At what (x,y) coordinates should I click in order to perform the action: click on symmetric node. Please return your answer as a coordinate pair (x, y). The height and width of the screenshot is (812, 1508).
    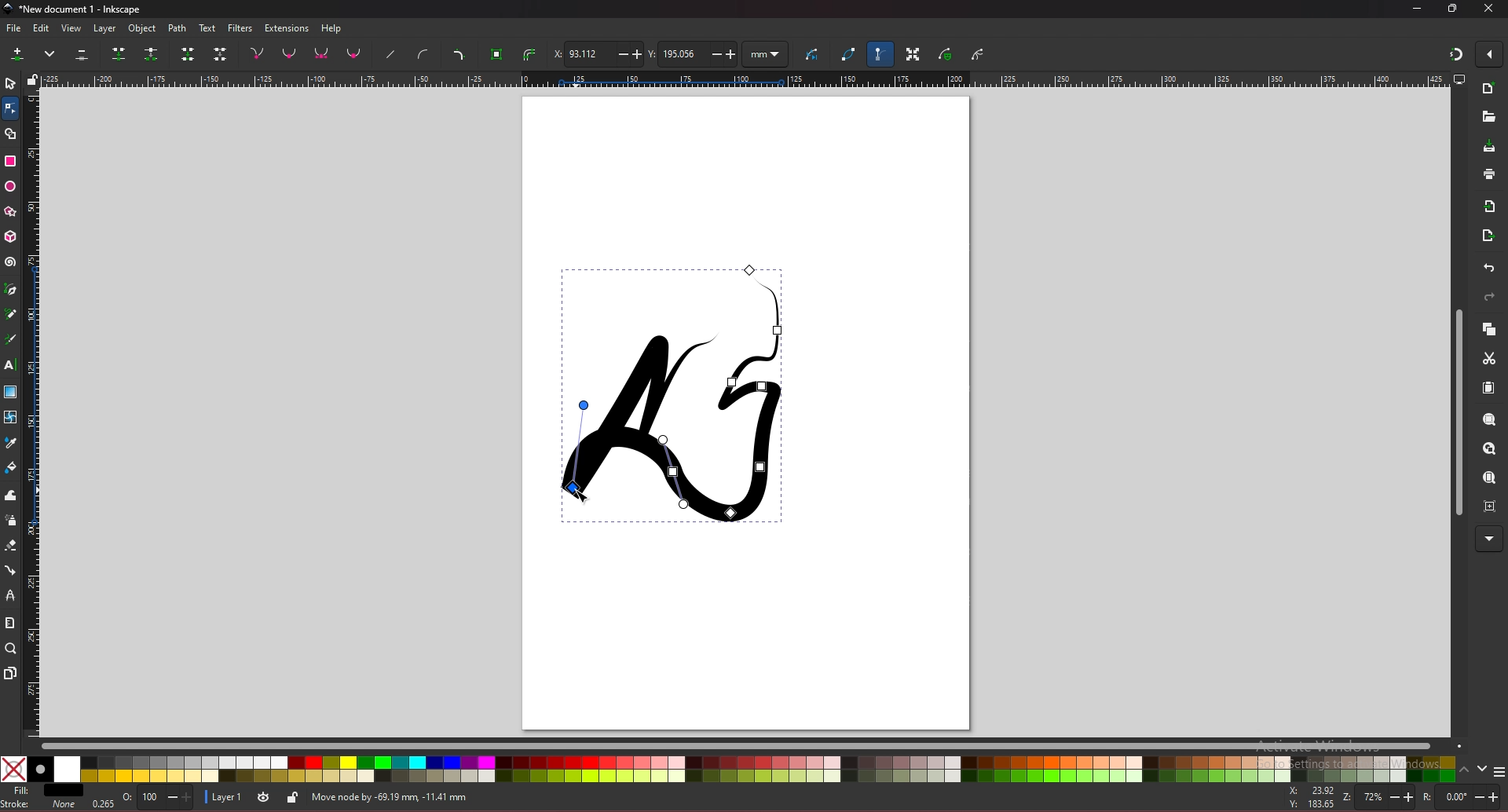
    Looking at the image, I should click on (321, 53).